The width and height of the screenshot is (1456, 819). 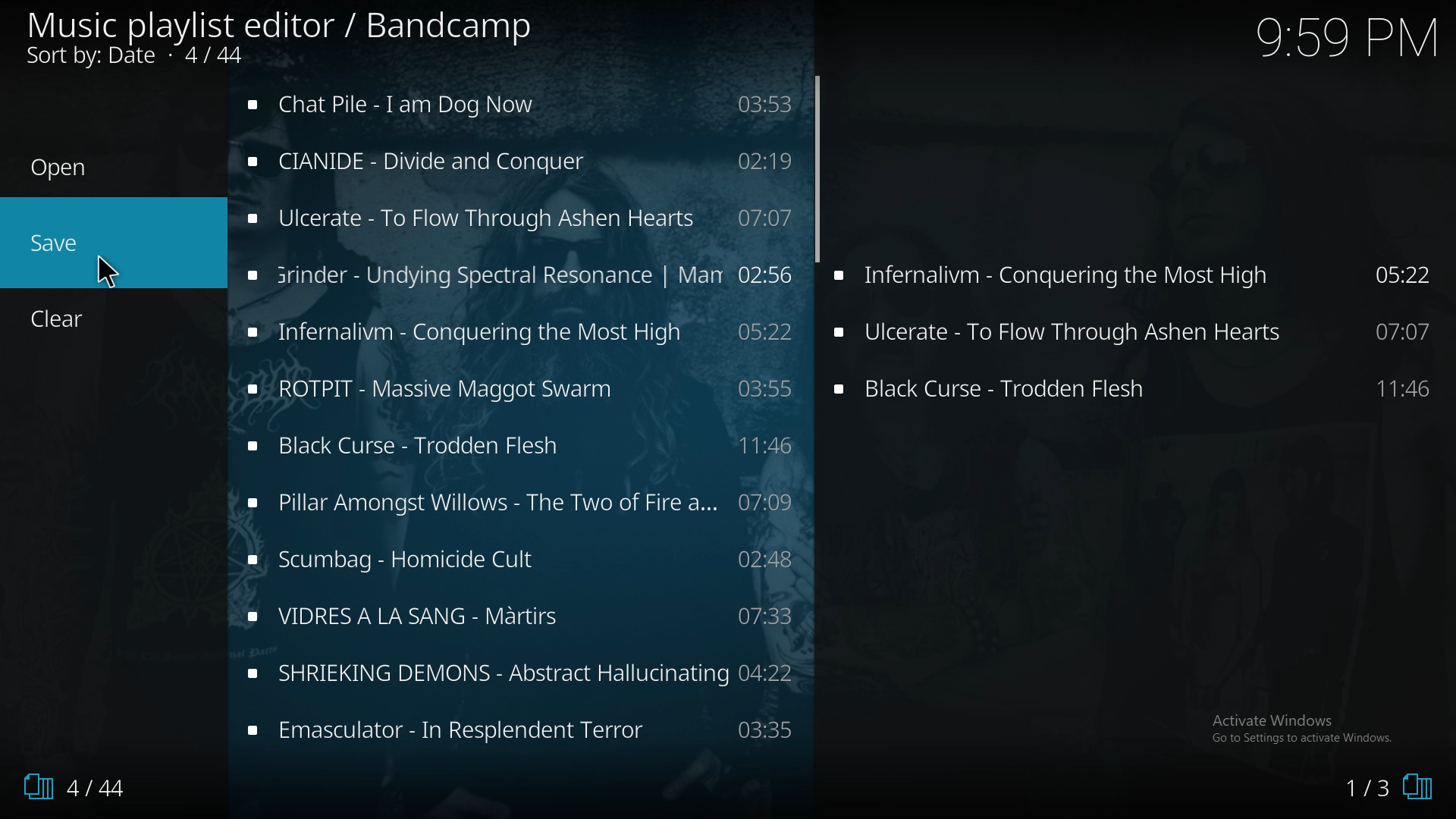 I want to click on Music playlist editor / Bandcamp, so click(x=281, y=26).